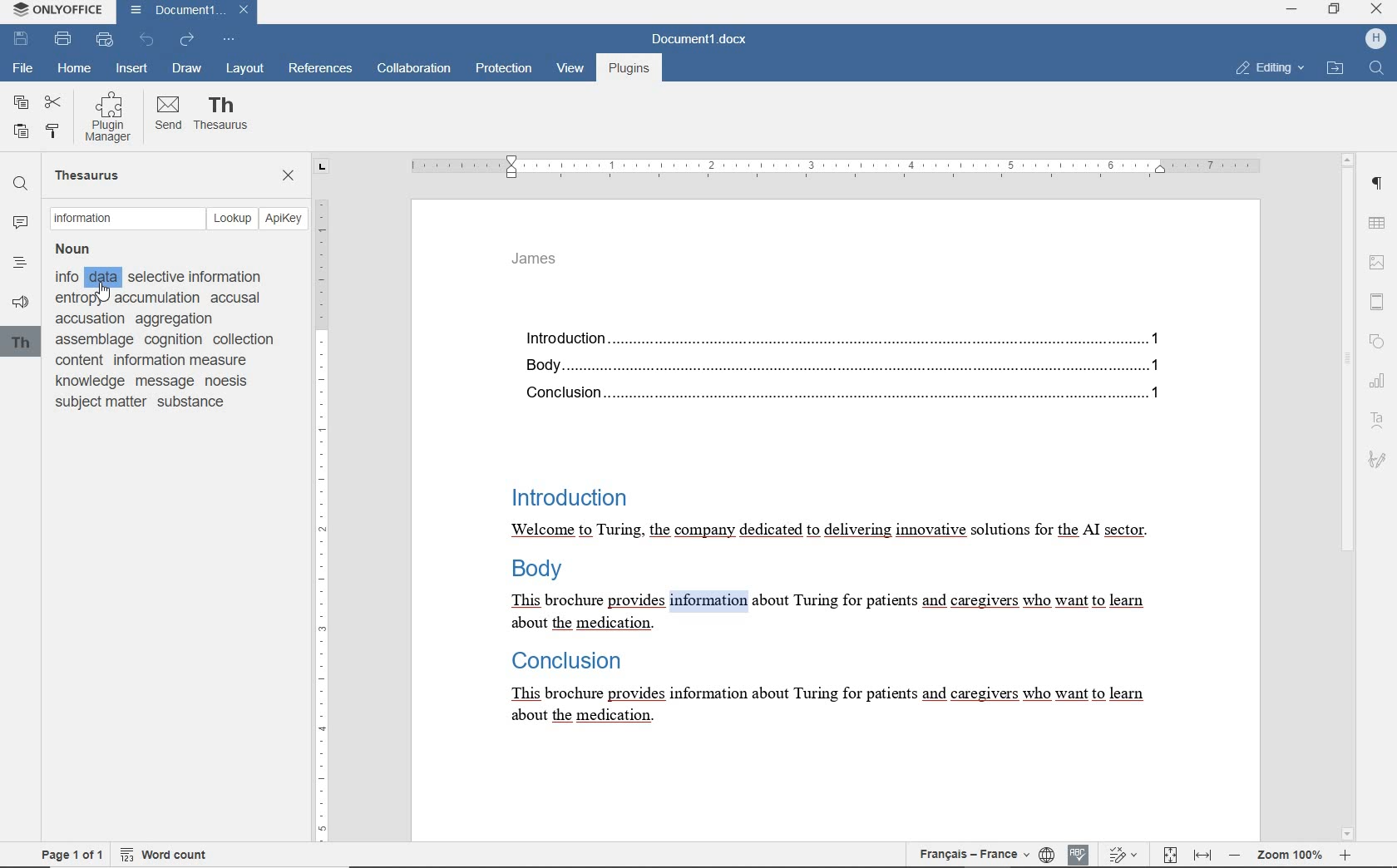  I want to click on CUT, so click(54, 103).